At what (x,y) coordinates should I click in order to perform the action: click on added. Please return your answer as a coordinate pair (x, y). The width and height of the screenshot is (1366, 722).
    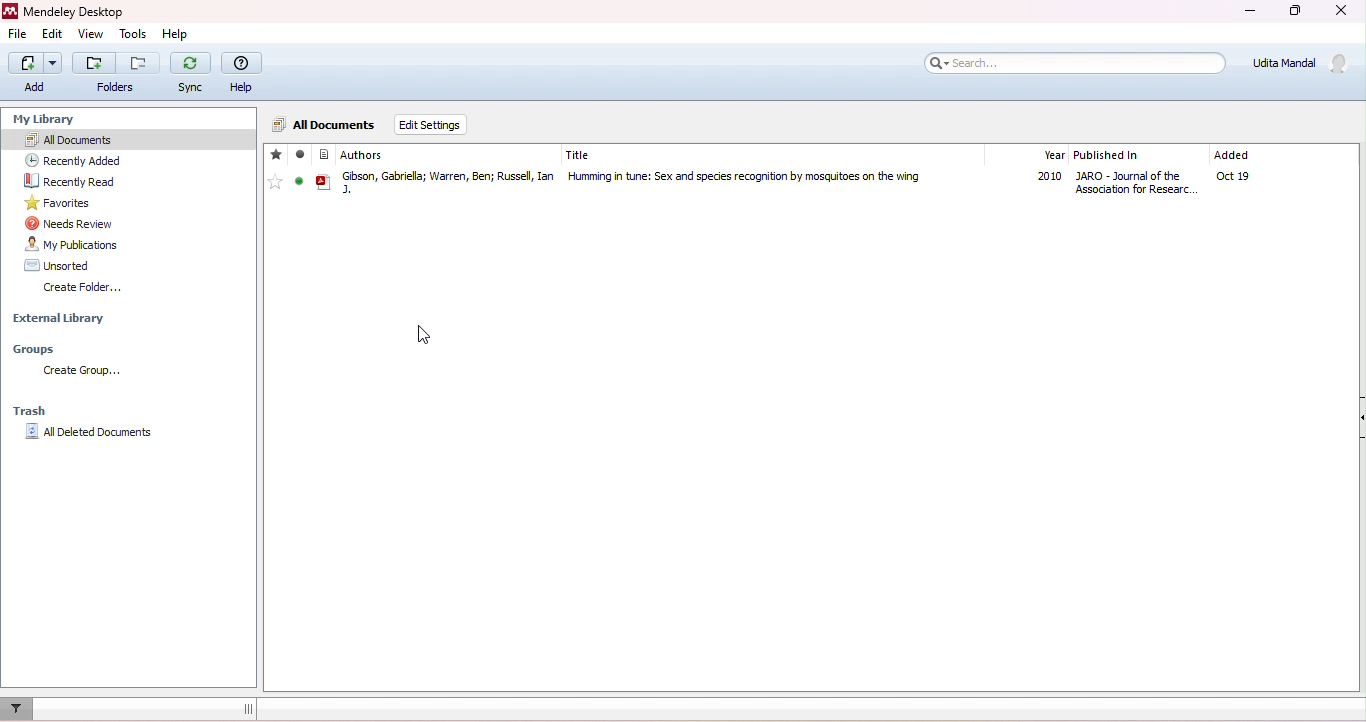
    Looking at the image, I should click on (1231, 156).